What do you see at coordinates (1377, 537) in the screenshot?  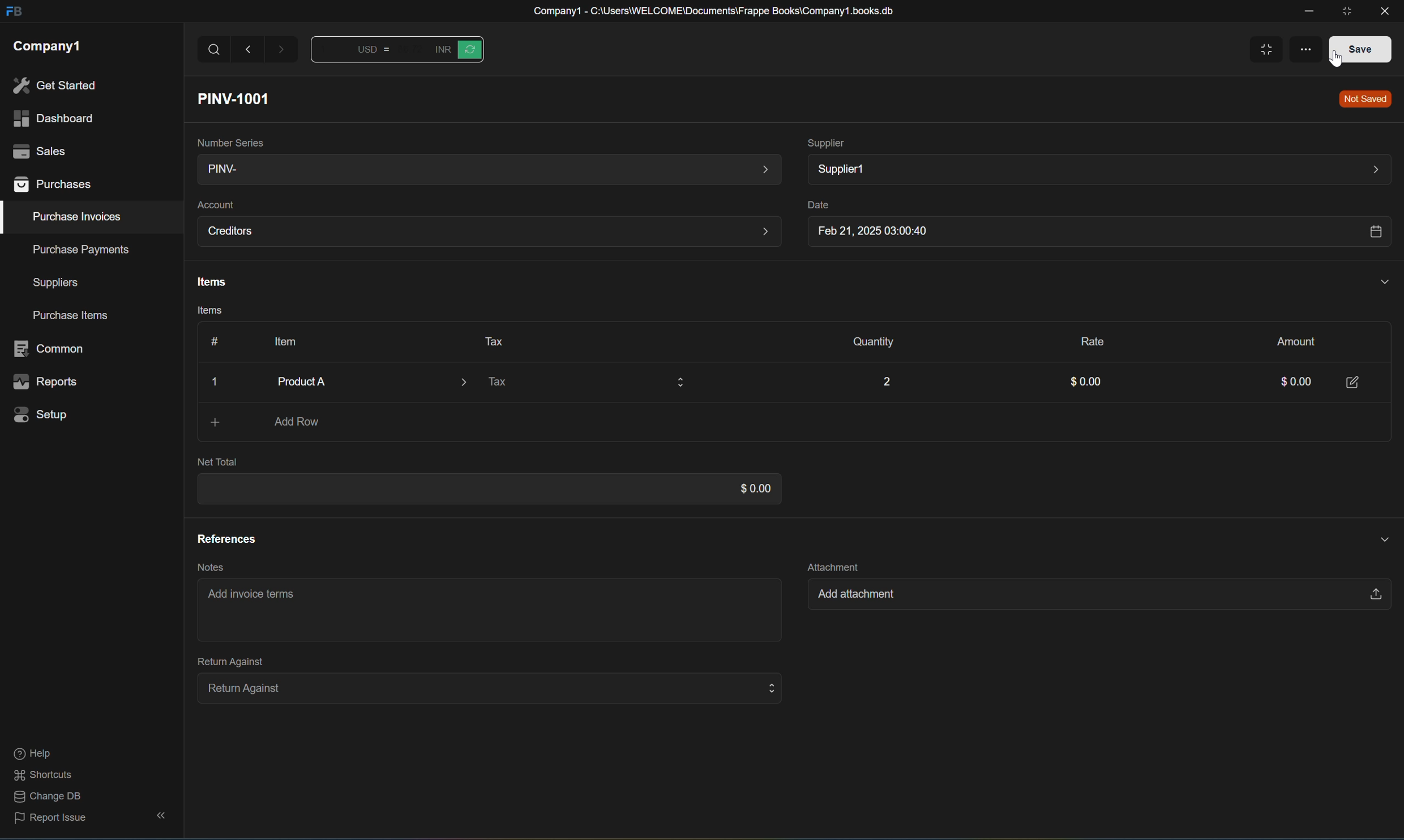 I see `Hide` at bounding box center [1377, 537].